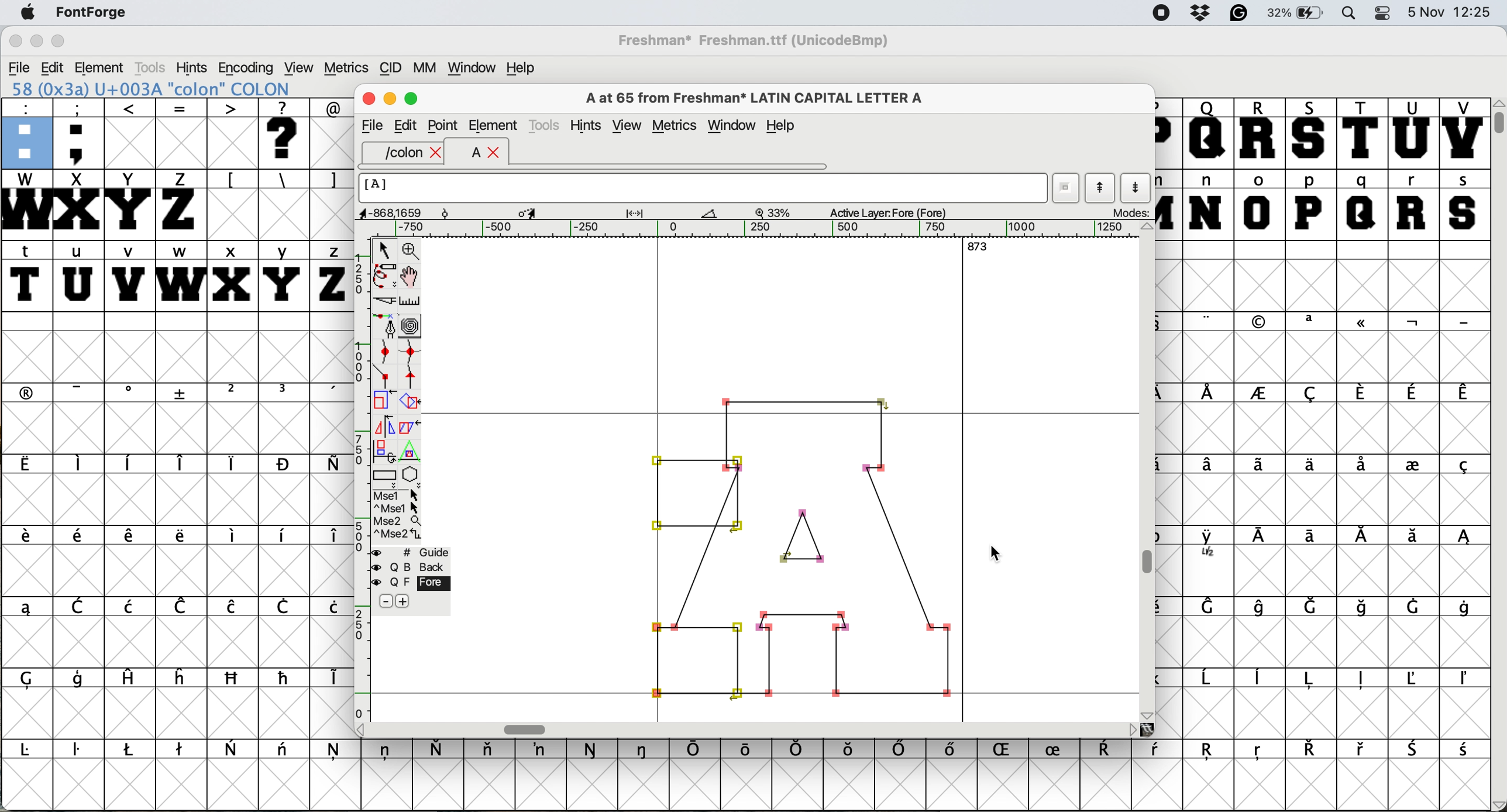  What do you see at coordinates (1159, 13) in the screenshot?
I see `screen recorder` at bounding box center [1159, 13].